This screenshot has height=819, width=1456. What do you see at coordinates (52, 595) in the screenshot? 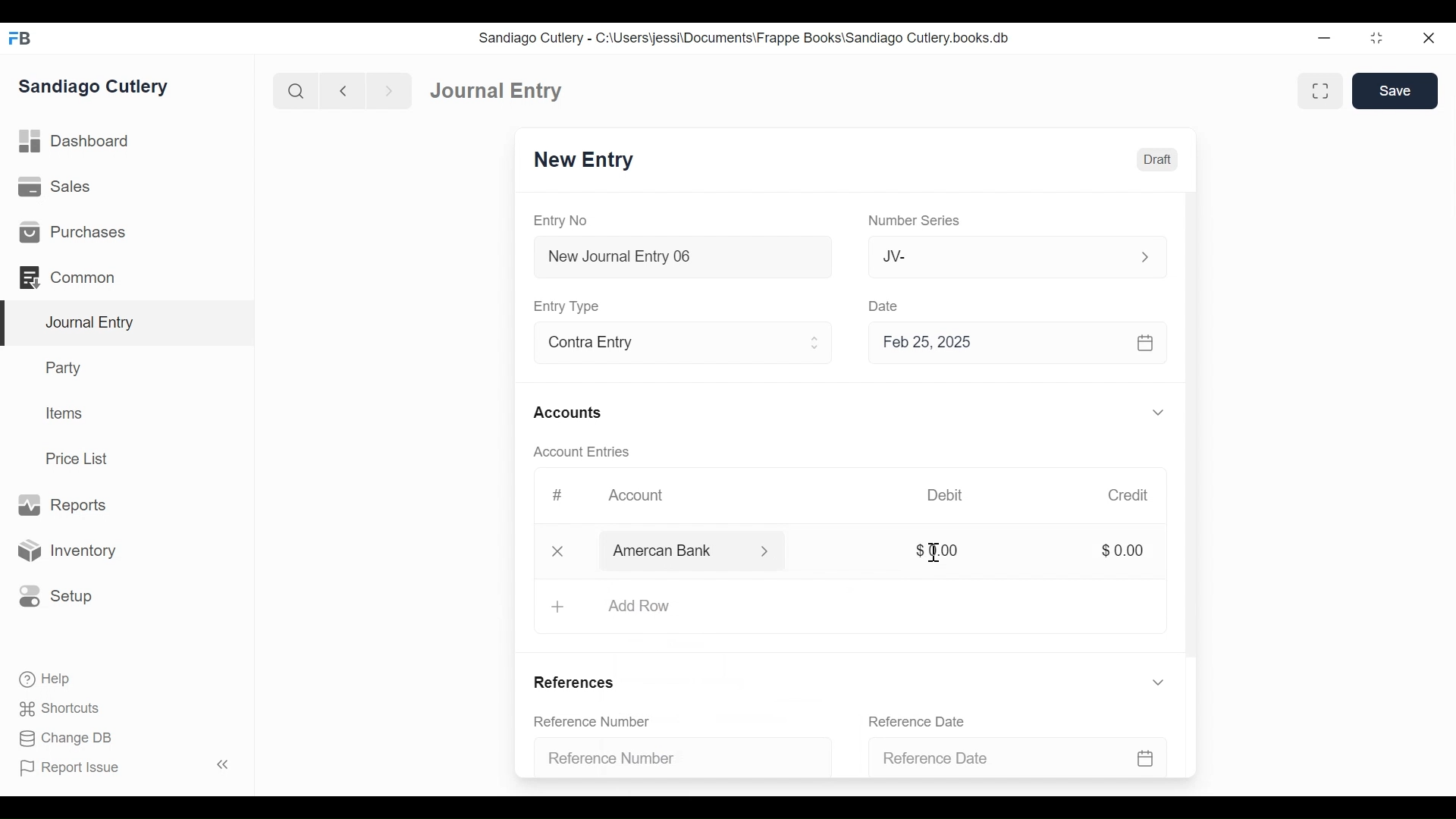
I see `Setup` at bounding box center [52, 595].